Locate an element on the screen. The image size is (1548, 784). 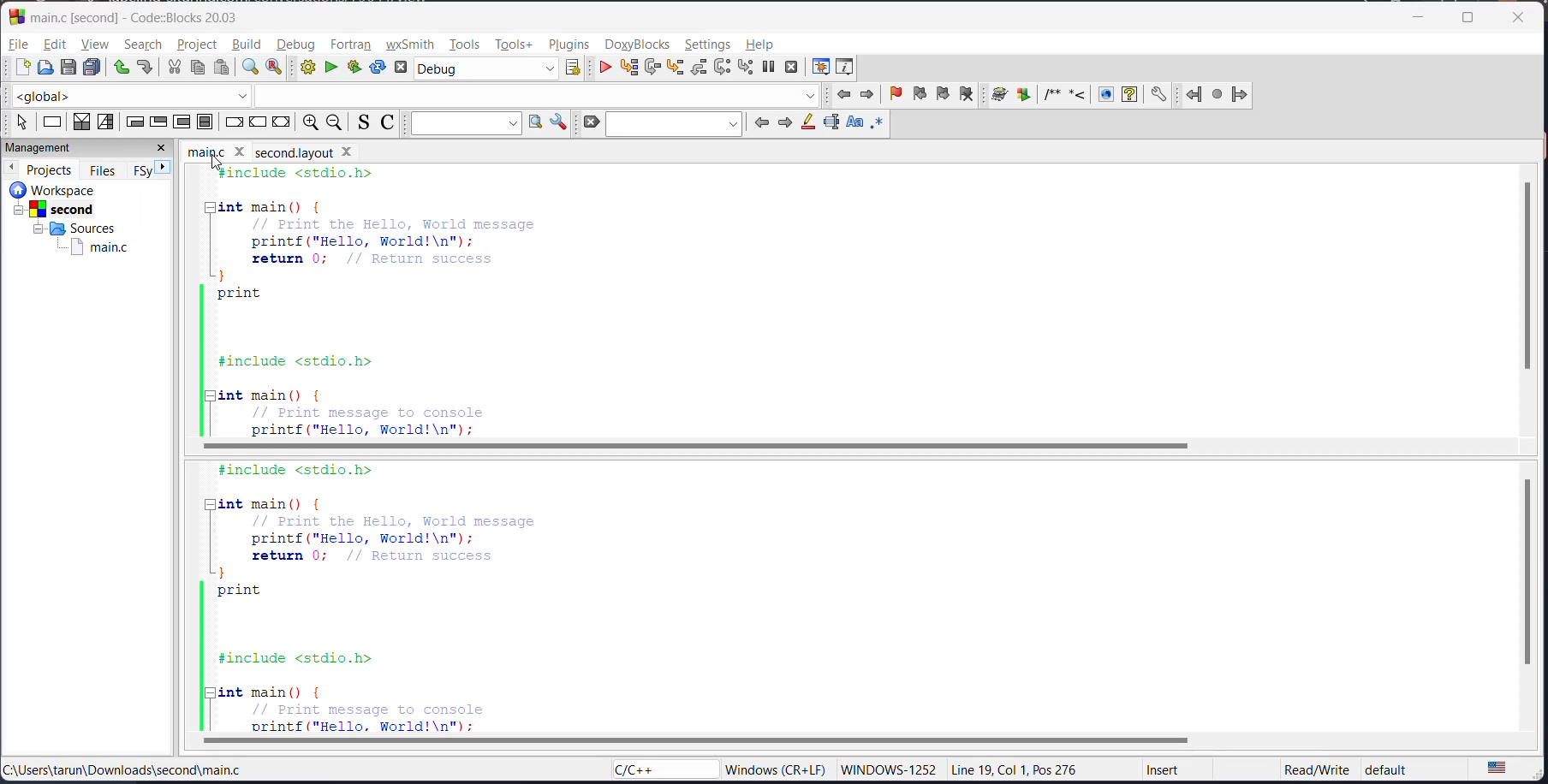
close is located at coordinates (162, 147).